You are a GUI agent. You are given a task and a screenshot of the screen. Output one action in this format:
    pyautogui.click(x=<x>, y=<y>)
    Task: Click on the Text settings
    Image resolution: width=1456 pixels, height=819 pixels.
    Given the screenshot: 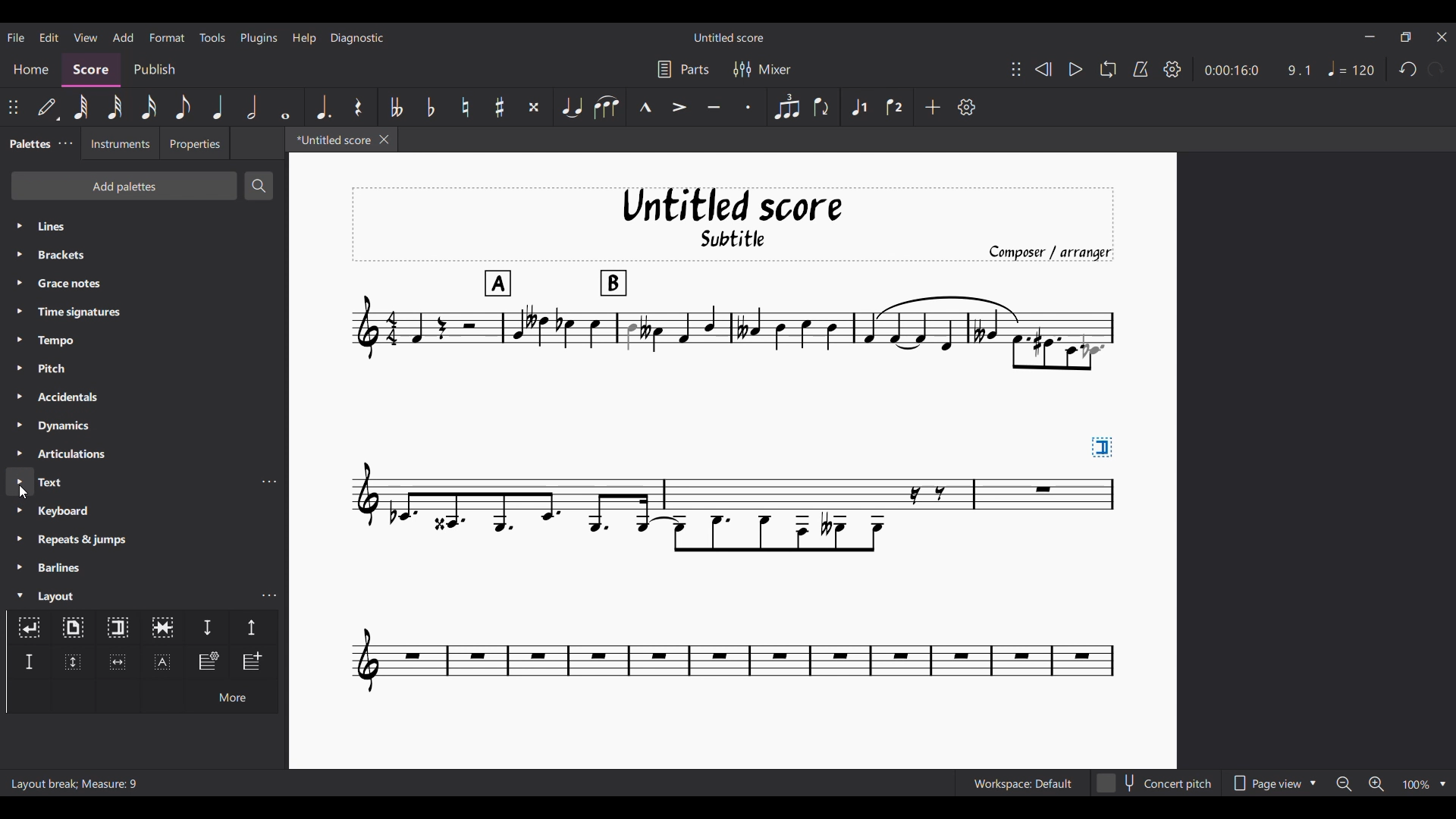 What is the action you would take?
    pyautogui.click(x=269, y=482)
    